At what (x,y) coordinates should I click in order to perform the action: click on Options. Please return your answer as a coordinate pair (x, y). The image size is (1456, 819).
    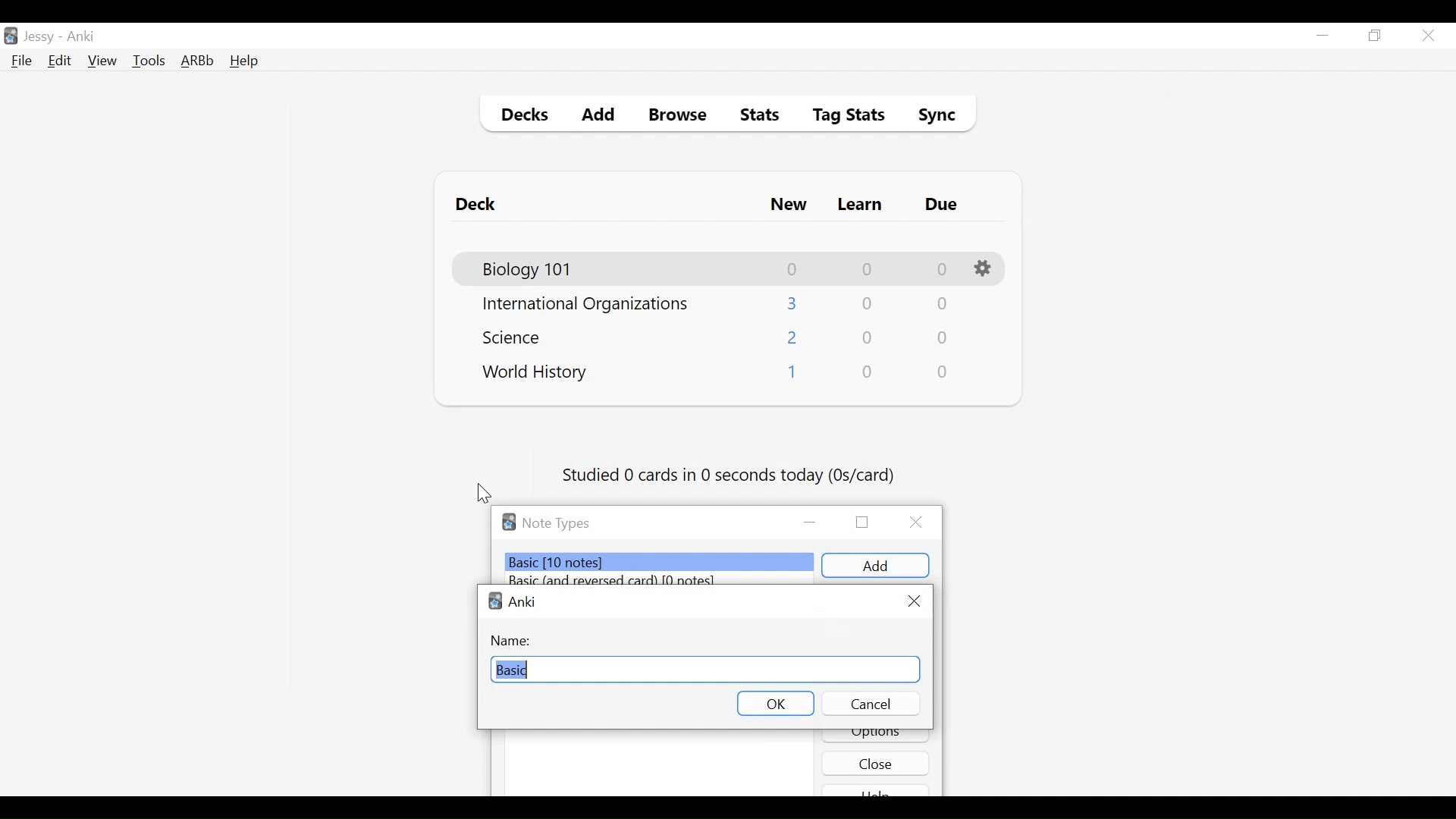
    Looking at the image, I should click on (985, 269).